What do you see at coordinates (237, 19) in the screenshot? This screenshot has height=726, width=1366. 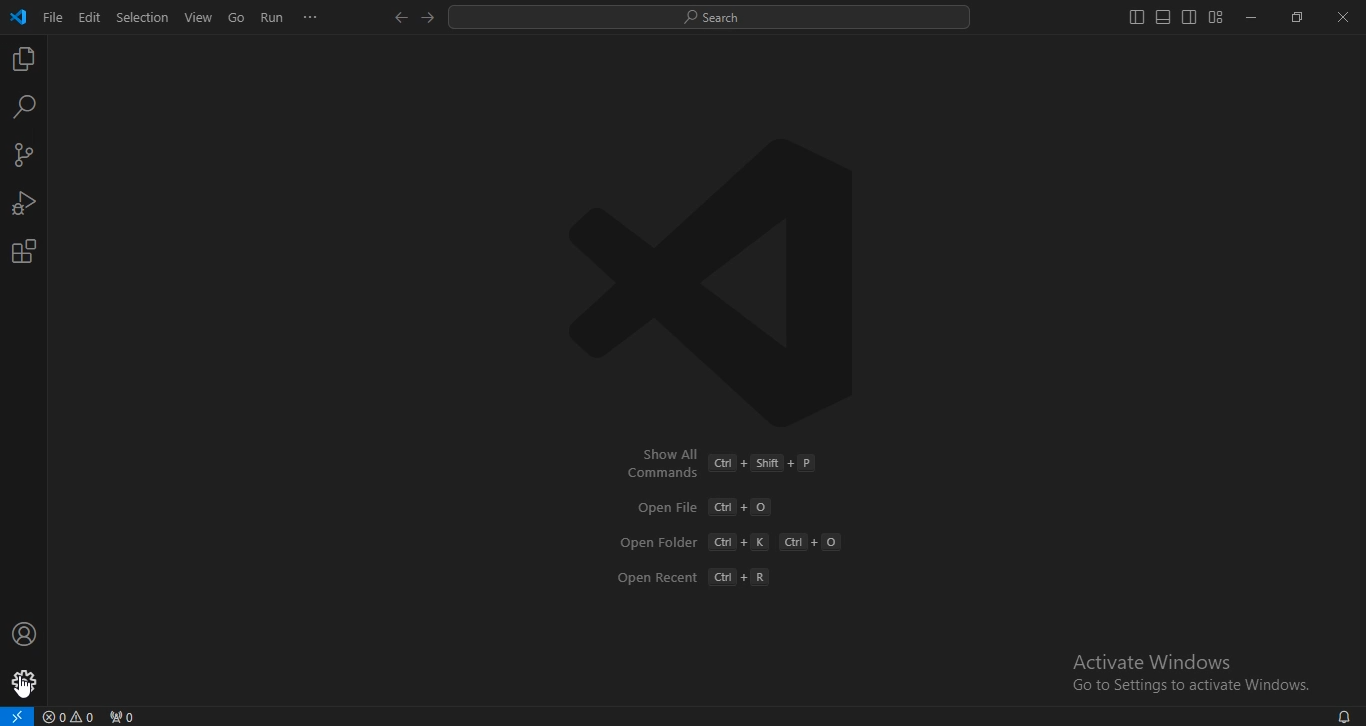 I see `go` at bounding box center [237, 19].